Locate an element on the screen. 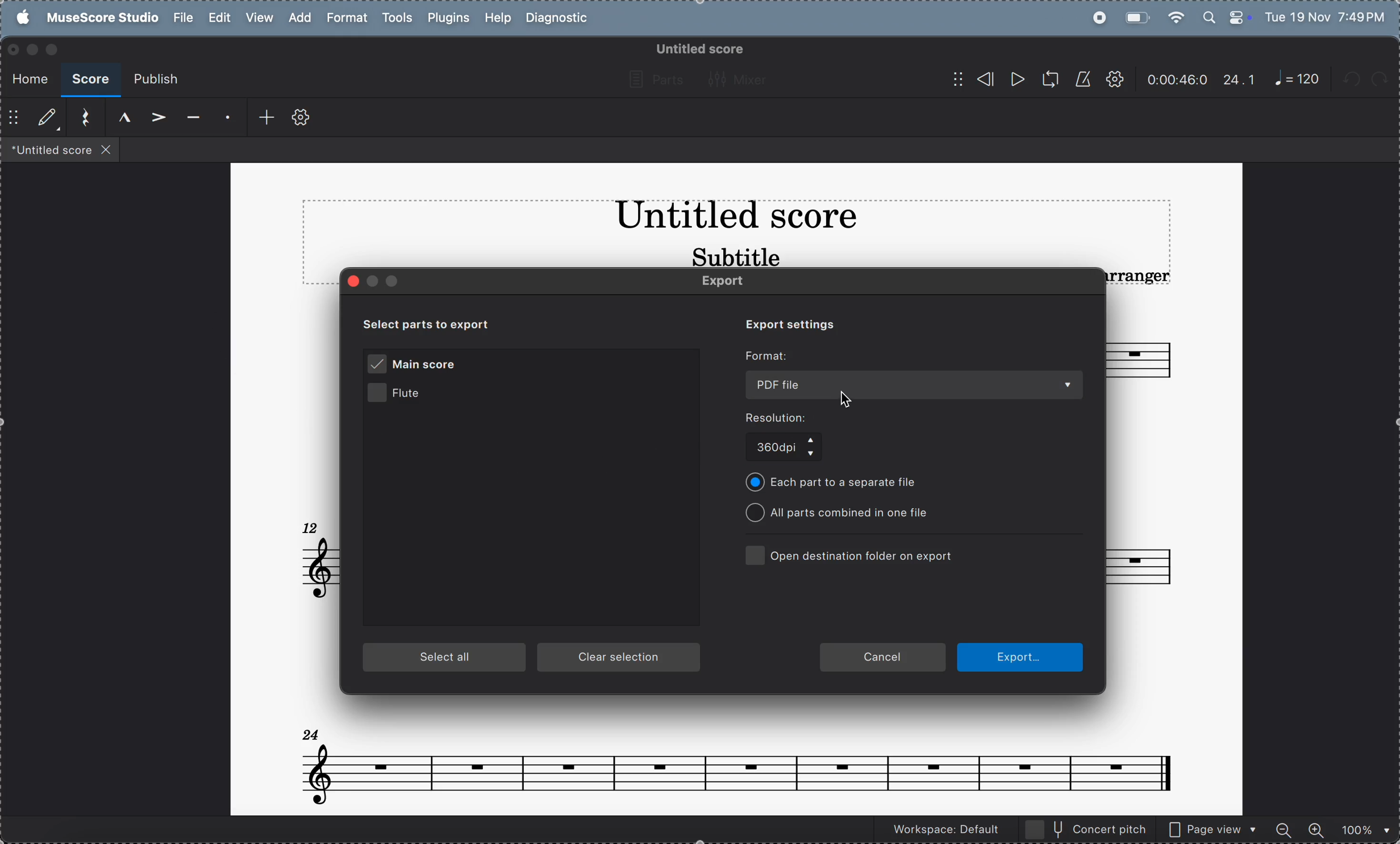  toolbar settings is located at coordinates (301, 118).